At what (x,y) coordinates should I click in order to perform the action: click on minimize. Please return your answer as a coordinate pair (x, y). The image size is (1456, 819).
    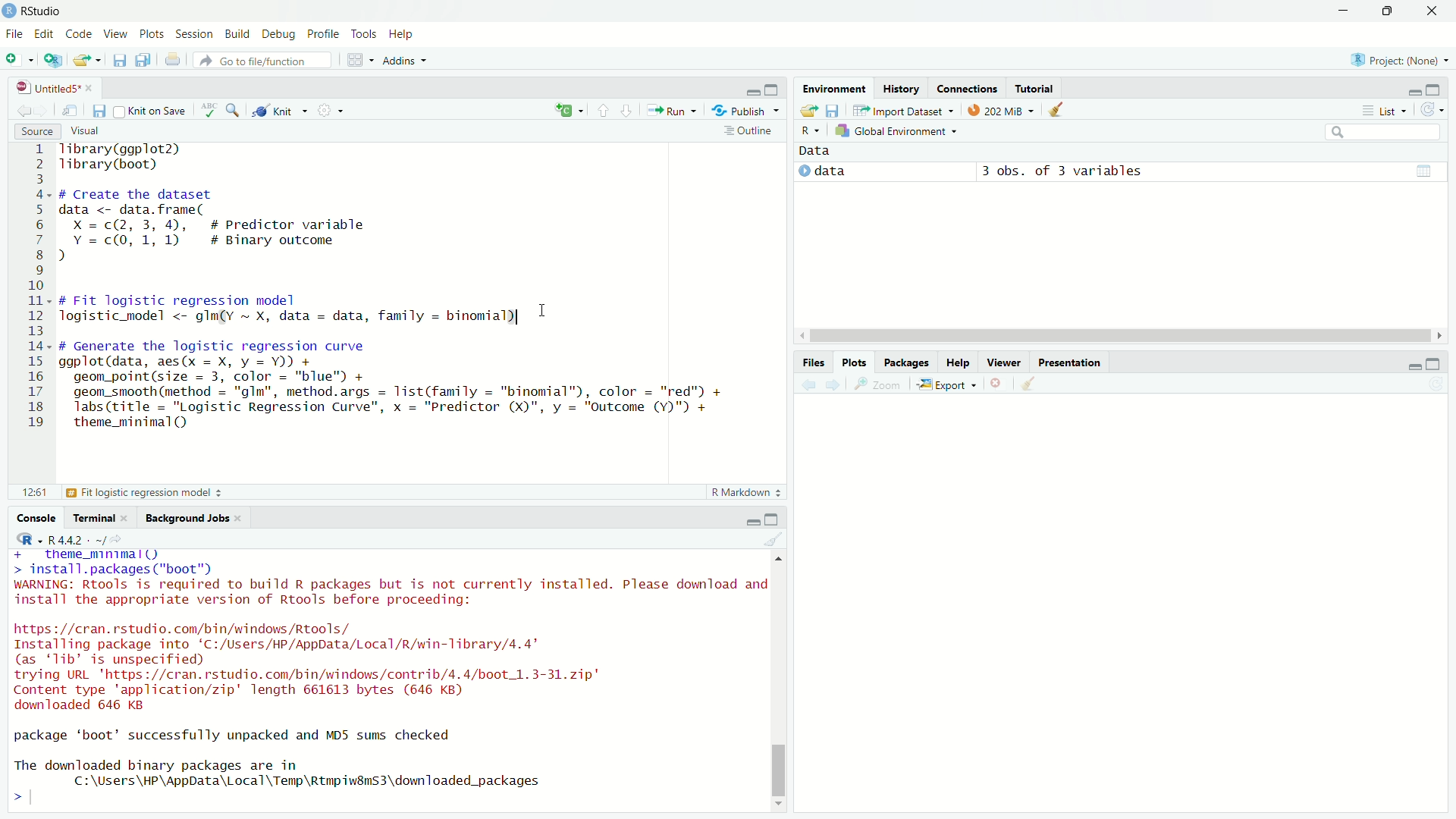
    Looking at the image, I should click on (1414, 93).